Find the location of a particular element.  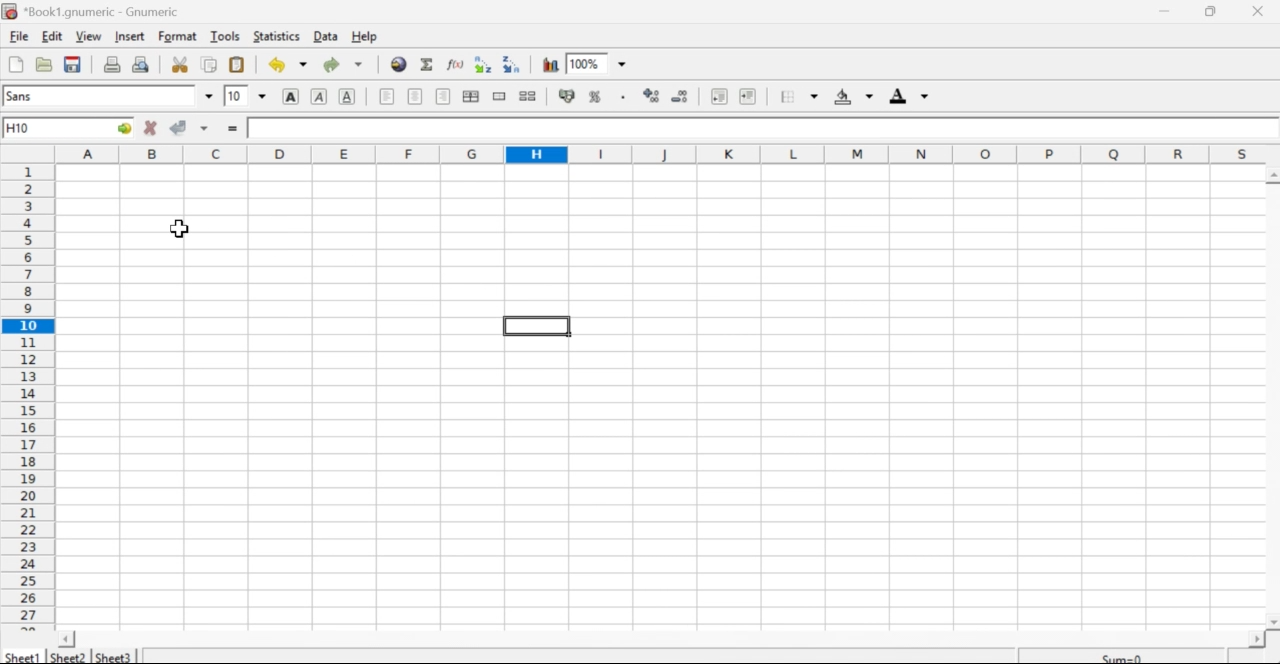

Icon is located at coordinates (650, 95).